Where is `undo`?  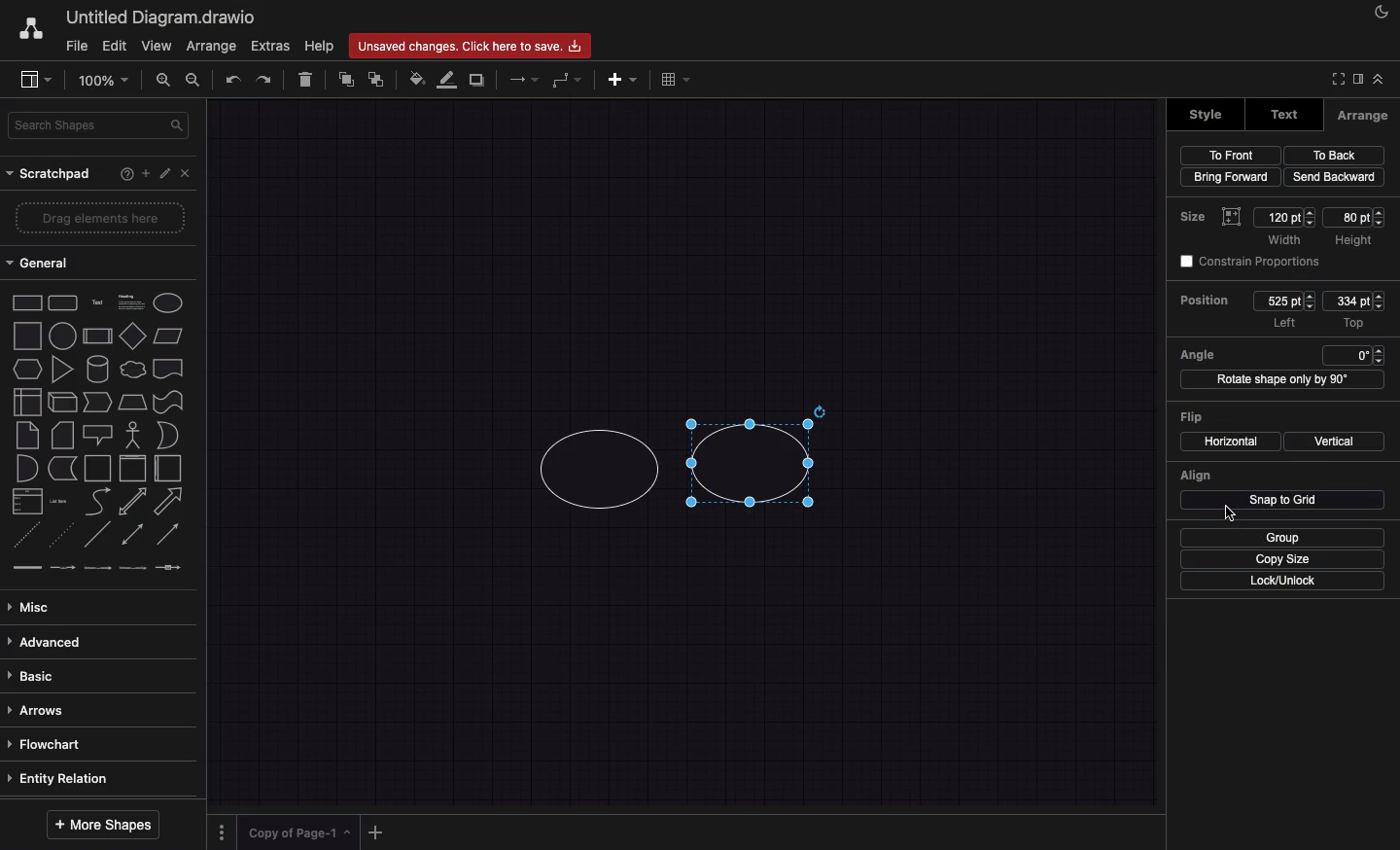 undo is located at coordinates (231, 80).